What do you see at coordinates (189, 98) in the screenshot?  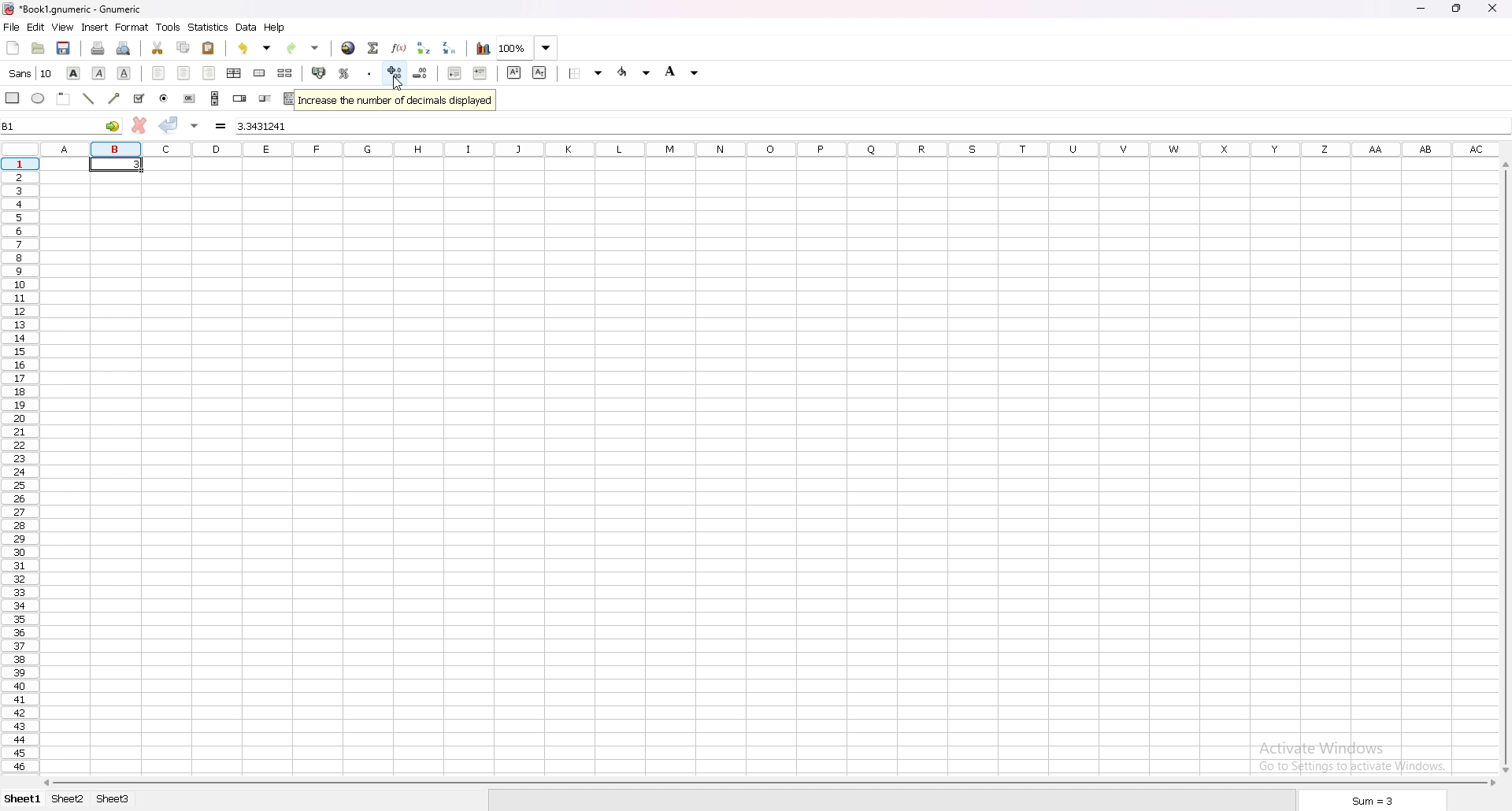 I see `button` at bounding box center [189, 98].